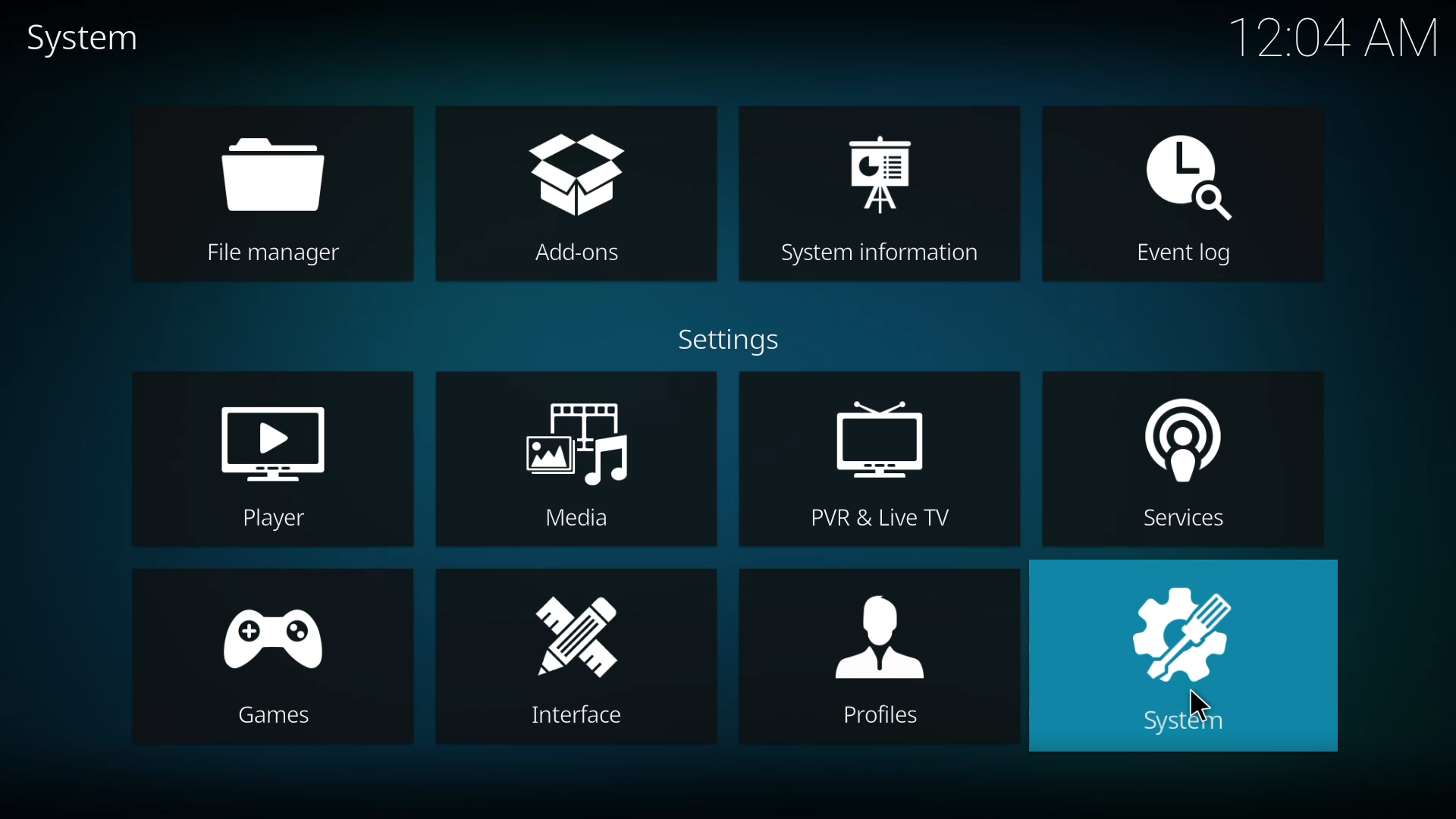 Image resolution: width=1456 pixels, height=819 pixels. Describe the element at coordinates (1184, 657) in the screenshot. I see `system` at that location.